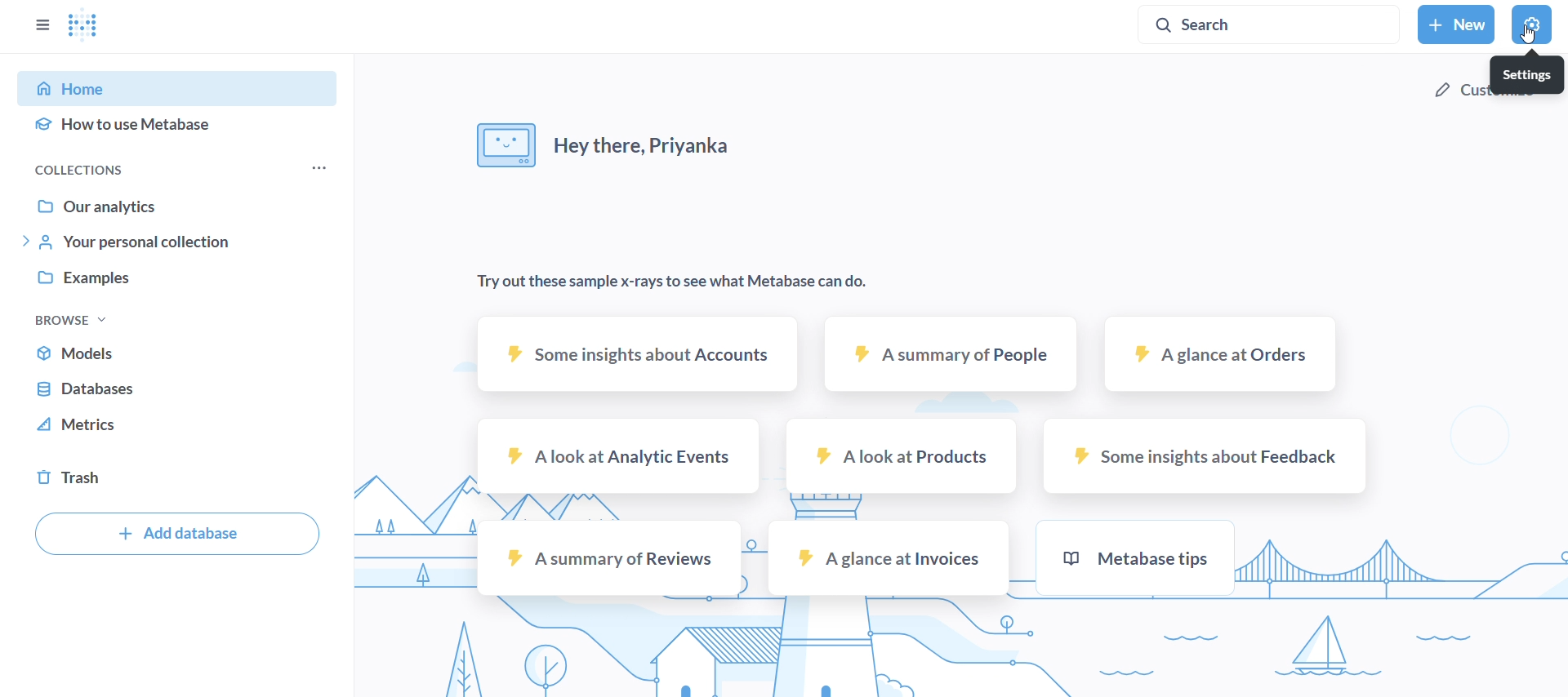 The image size is (1568, 697). I want to click on customize, so click(1486, 88).